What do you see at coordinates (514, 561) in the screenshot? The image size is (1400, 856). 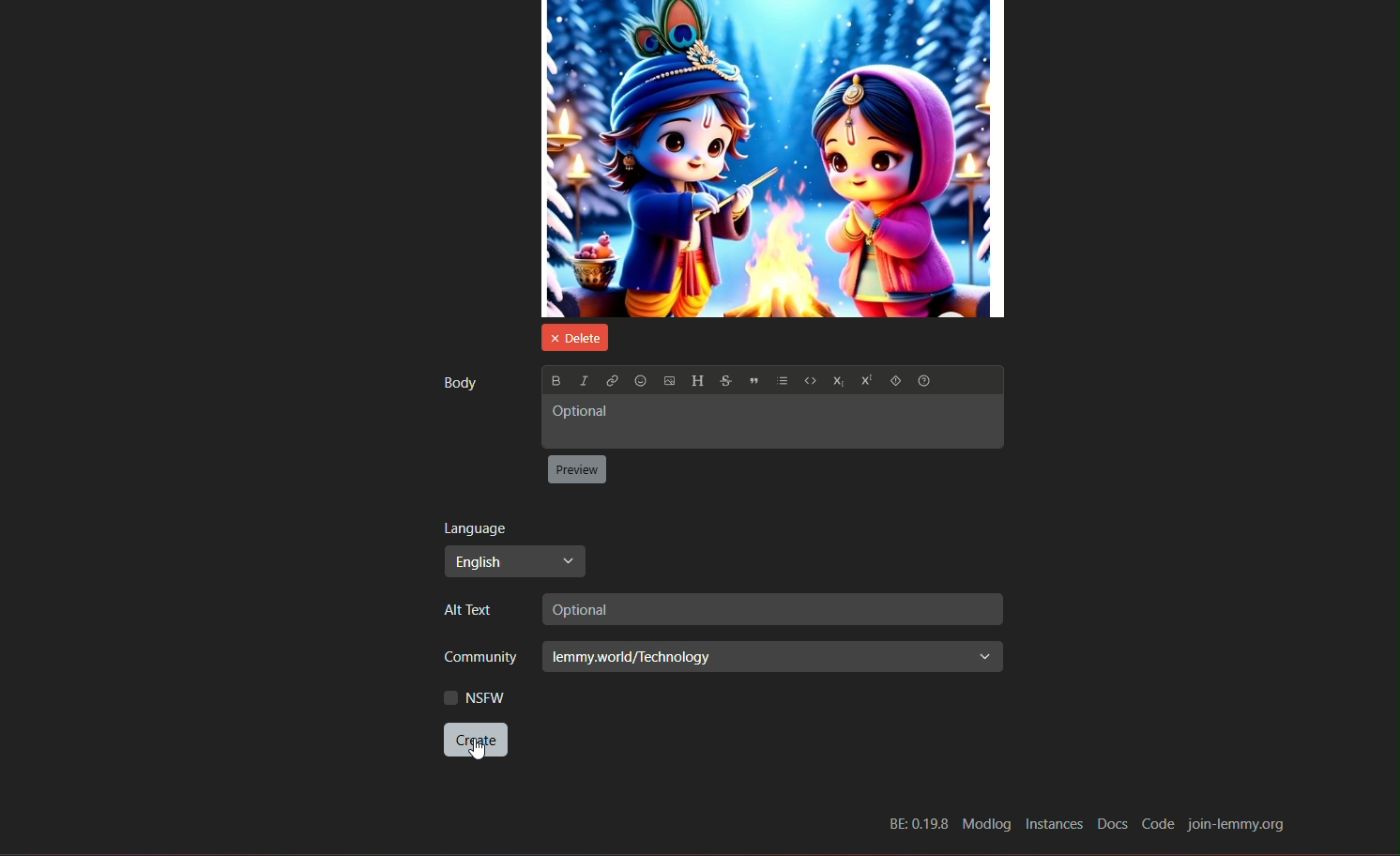 I see `select language` at bounding box center [514, 561].